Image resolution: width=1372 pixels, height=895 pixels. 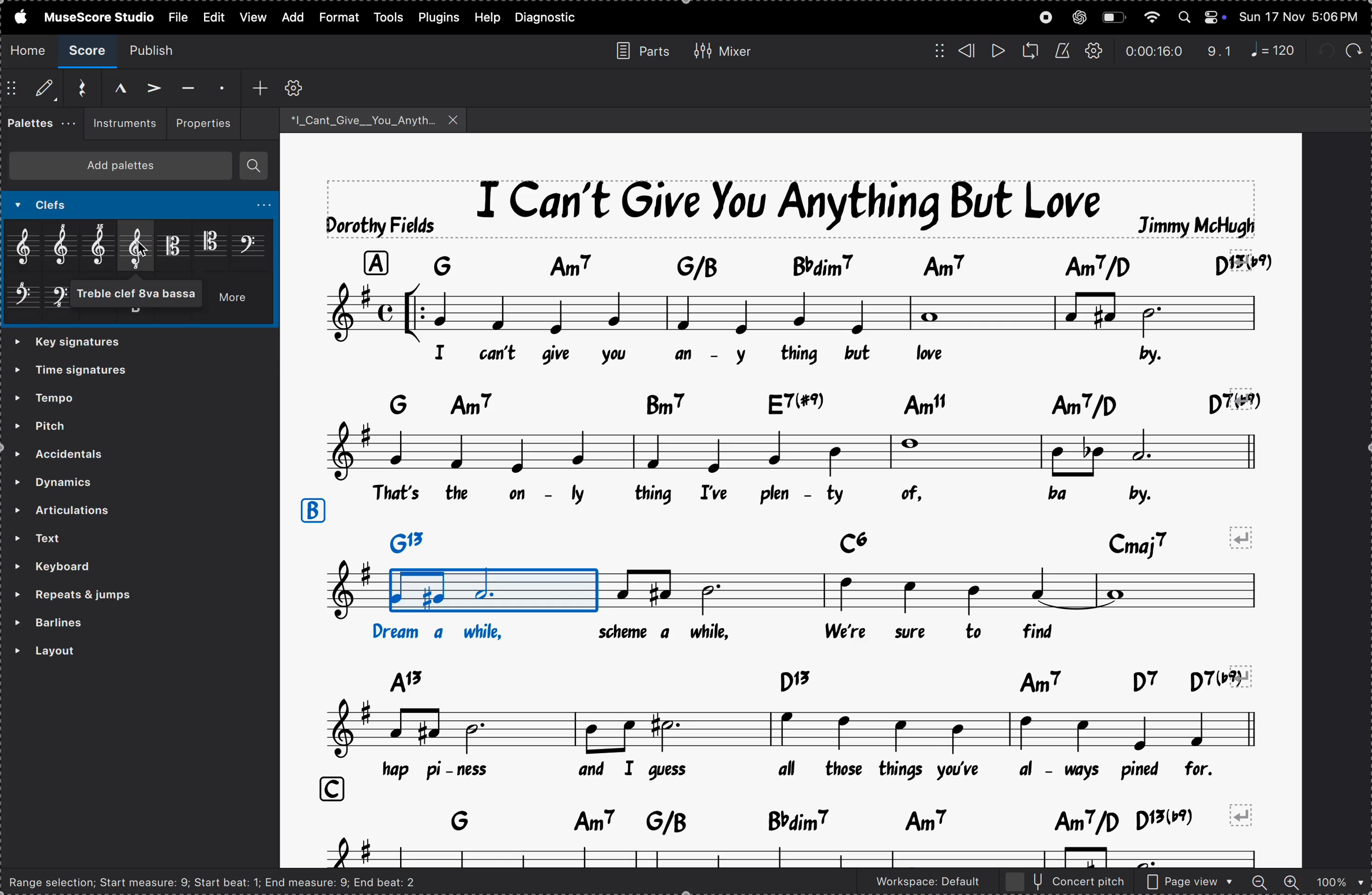 What do you see at coordinates (1030, 51) in the screenshot?
I see `loop playback` at bounding box center [1030, 51].